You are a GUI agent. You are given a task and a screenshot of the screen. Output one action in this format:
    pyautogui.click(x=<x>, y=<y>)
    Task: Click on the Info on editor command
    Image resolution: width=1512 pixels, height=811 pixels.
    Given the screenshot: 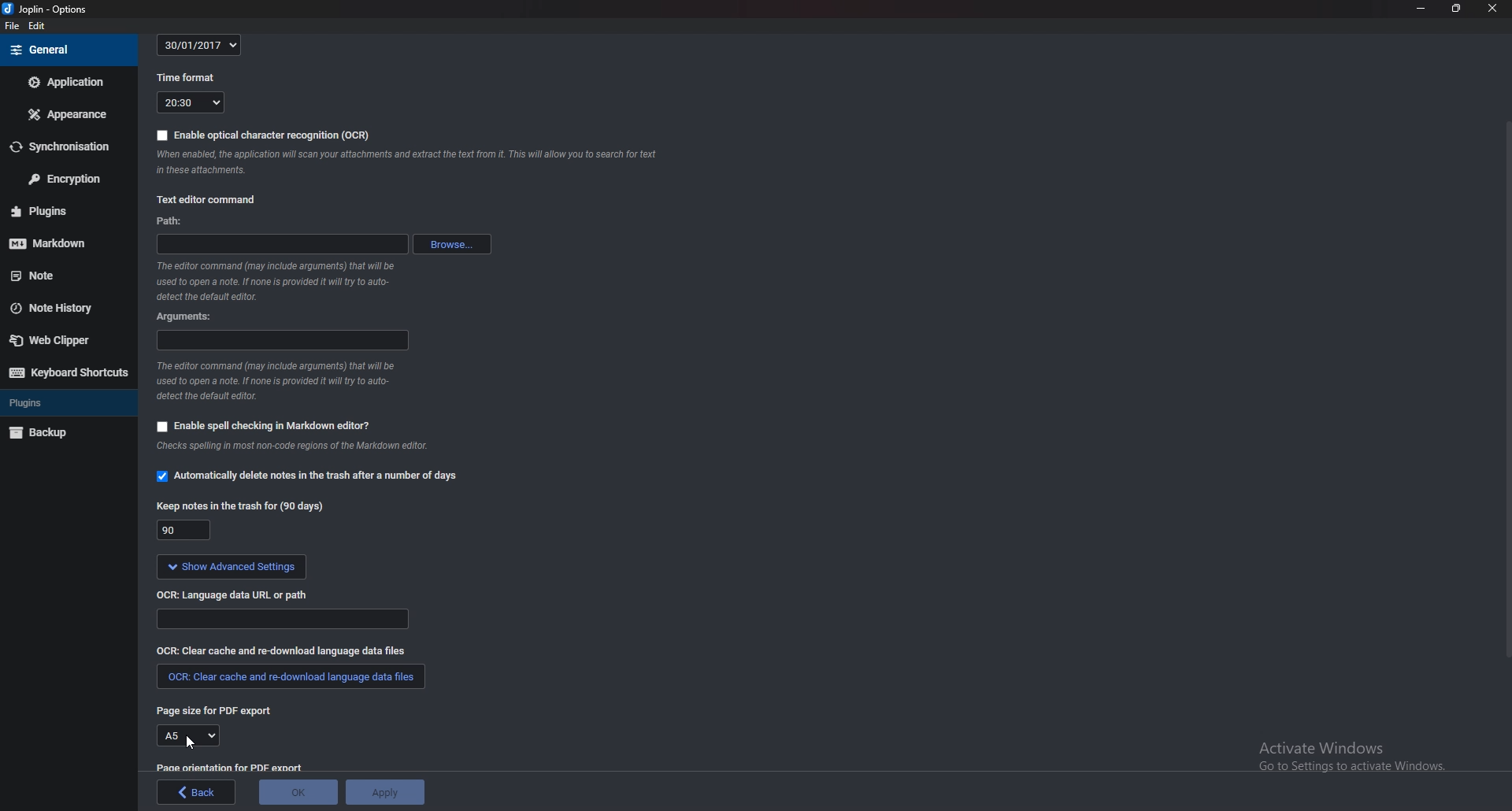 What is the action you would take?
    pyautogui.click(x=279, y=381)
    